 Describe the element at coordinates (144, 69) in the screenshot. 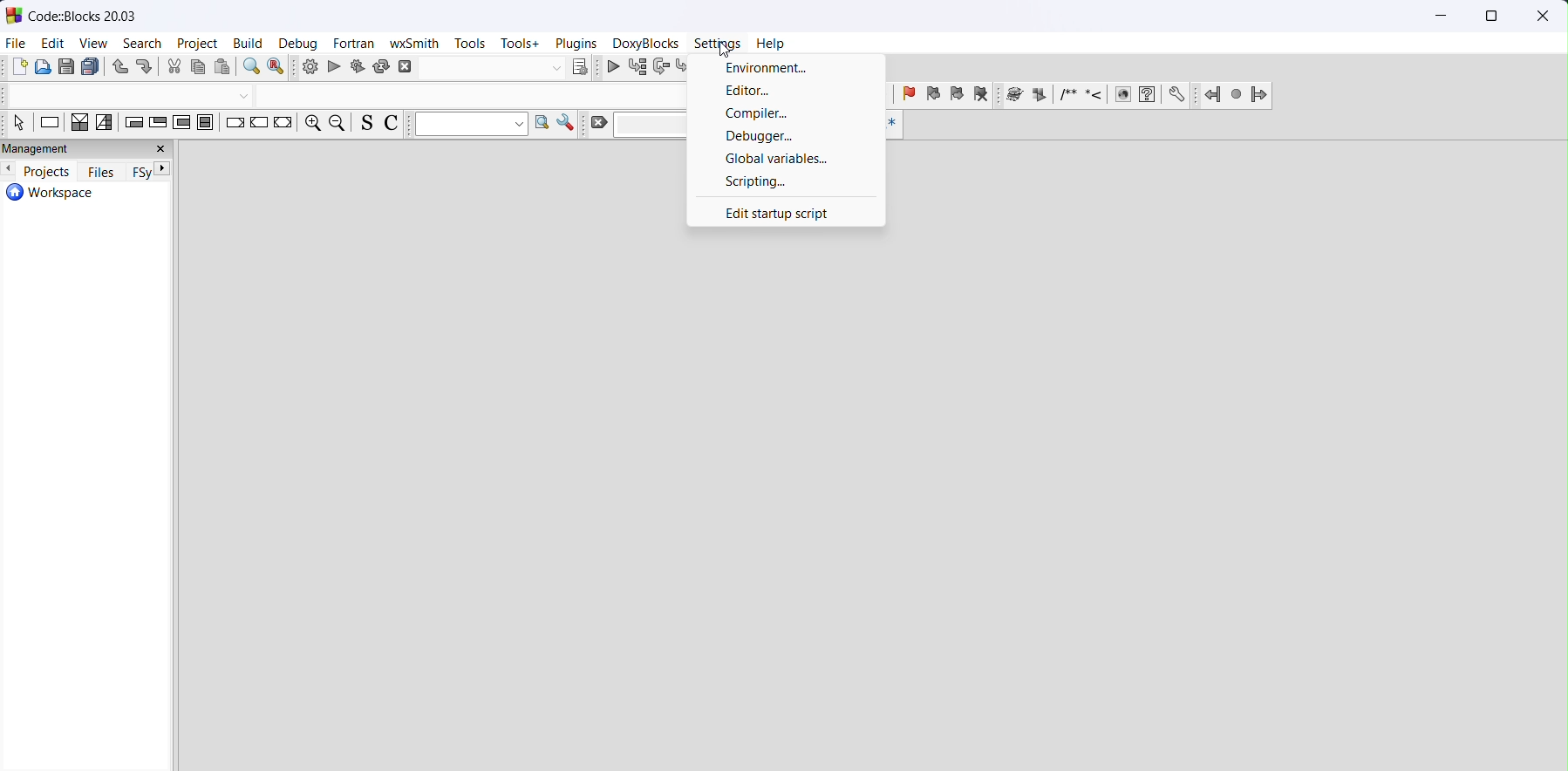

I see `redo` at that location.